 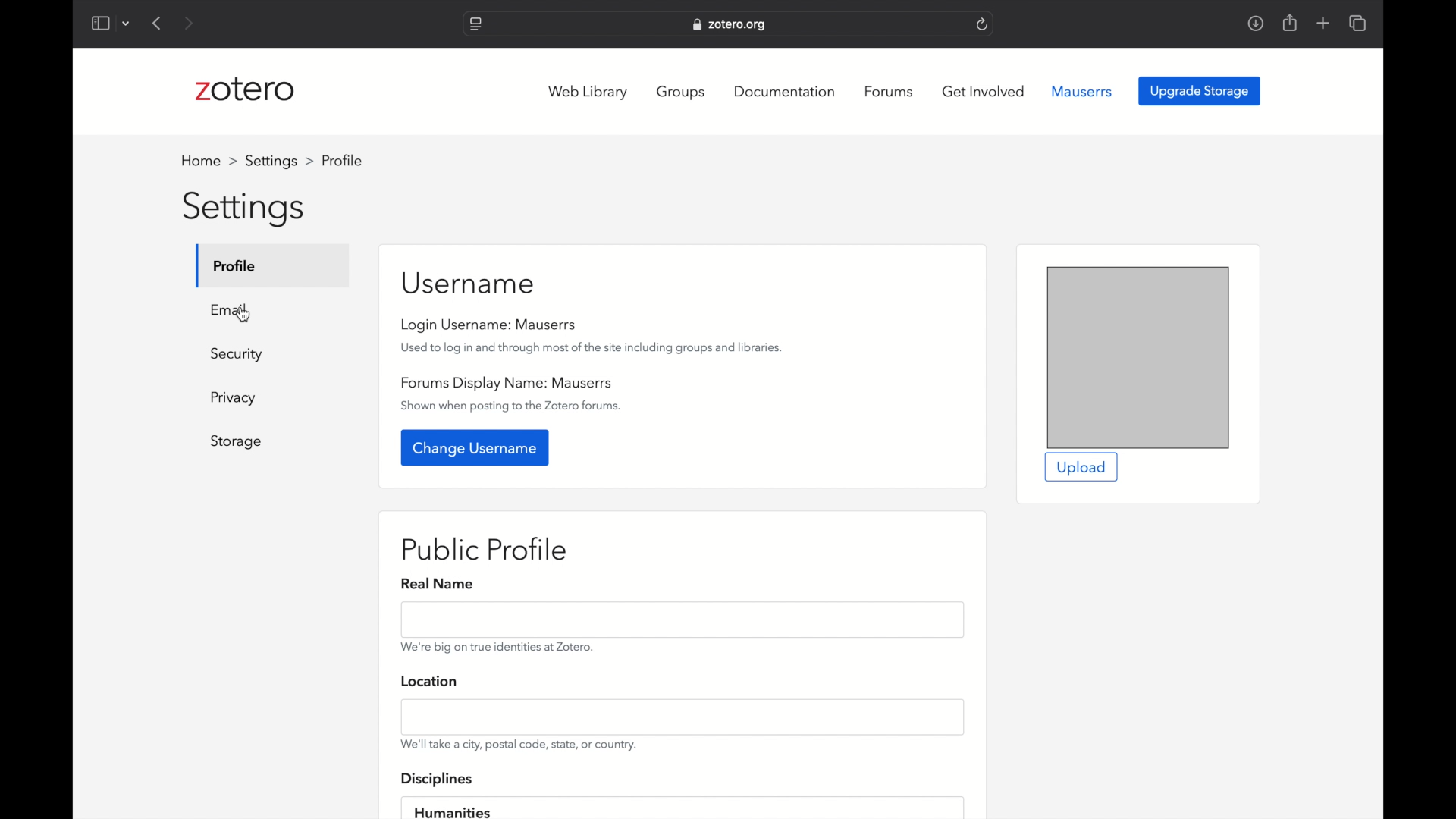 I want to click on zotero, so click(x=245, y=92).